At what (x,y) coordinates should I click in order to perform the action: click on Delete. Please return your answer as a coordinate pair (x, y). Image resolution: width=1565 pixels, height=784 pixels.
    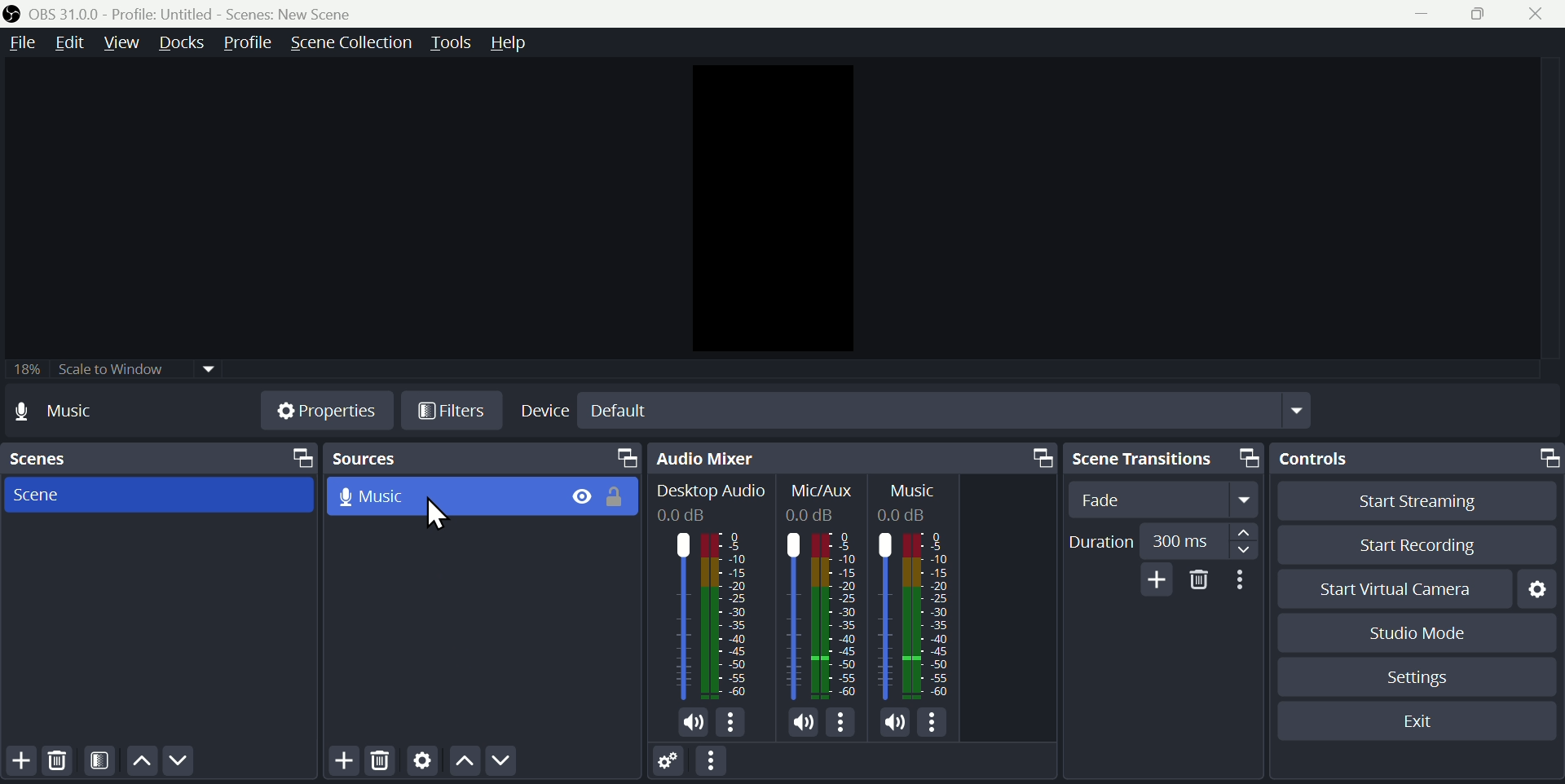
    Looking at the image, I should click on (63, 763).